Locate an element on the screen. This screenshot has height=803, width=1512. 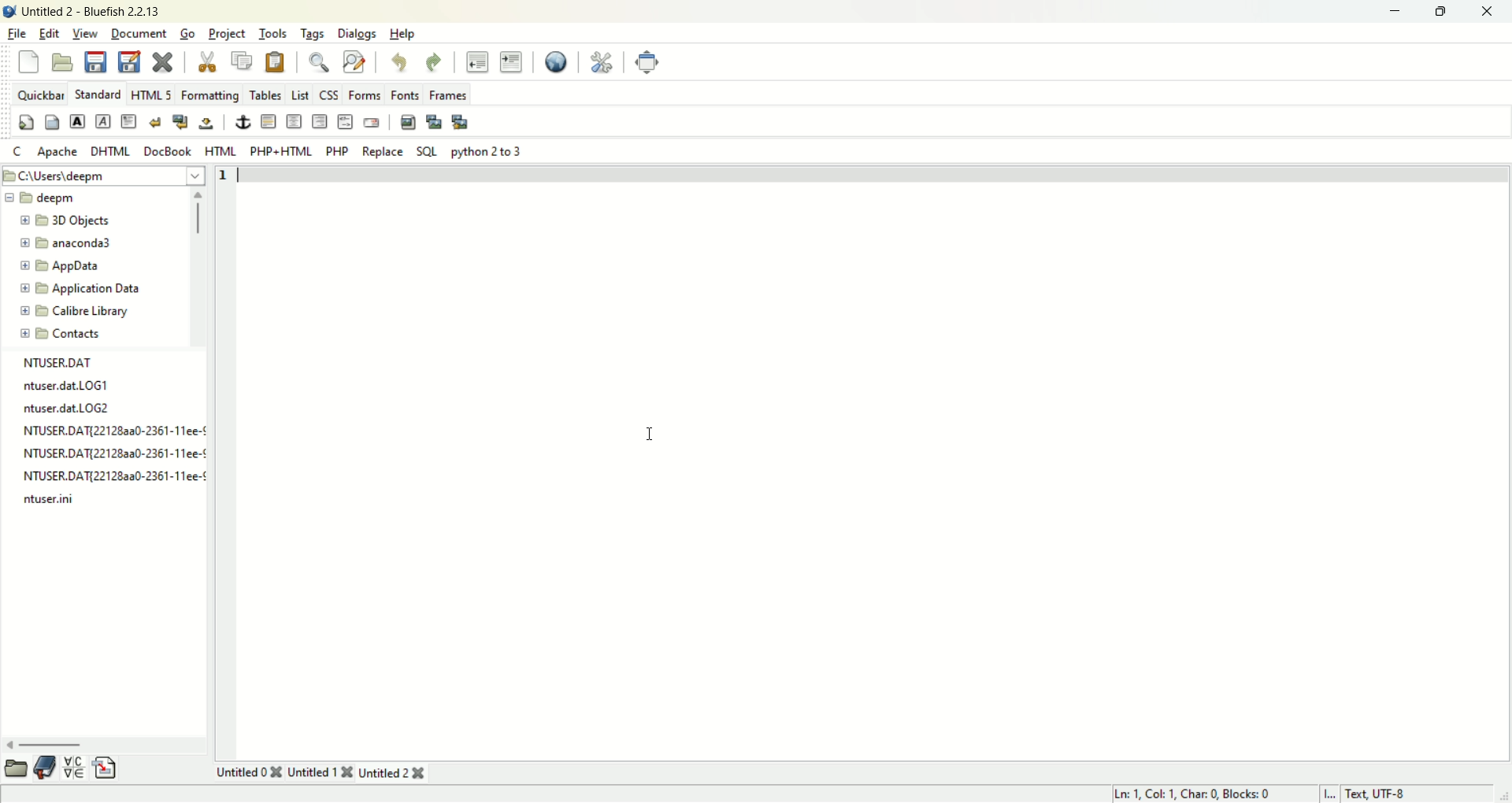
break and clear is located at coordinates (183, 120).